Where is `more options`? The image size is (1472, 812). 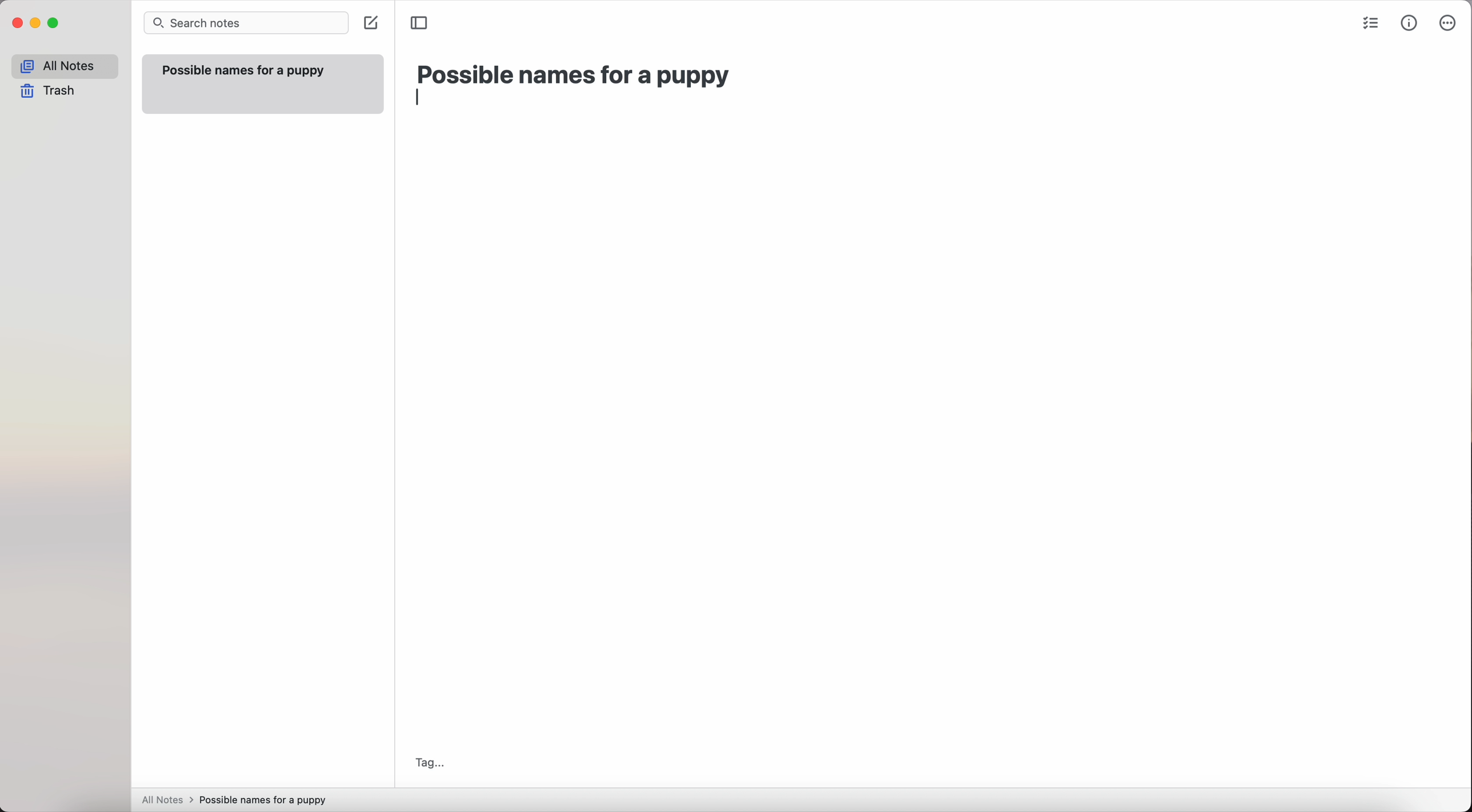
more options is located at coordinates (1449, 24).